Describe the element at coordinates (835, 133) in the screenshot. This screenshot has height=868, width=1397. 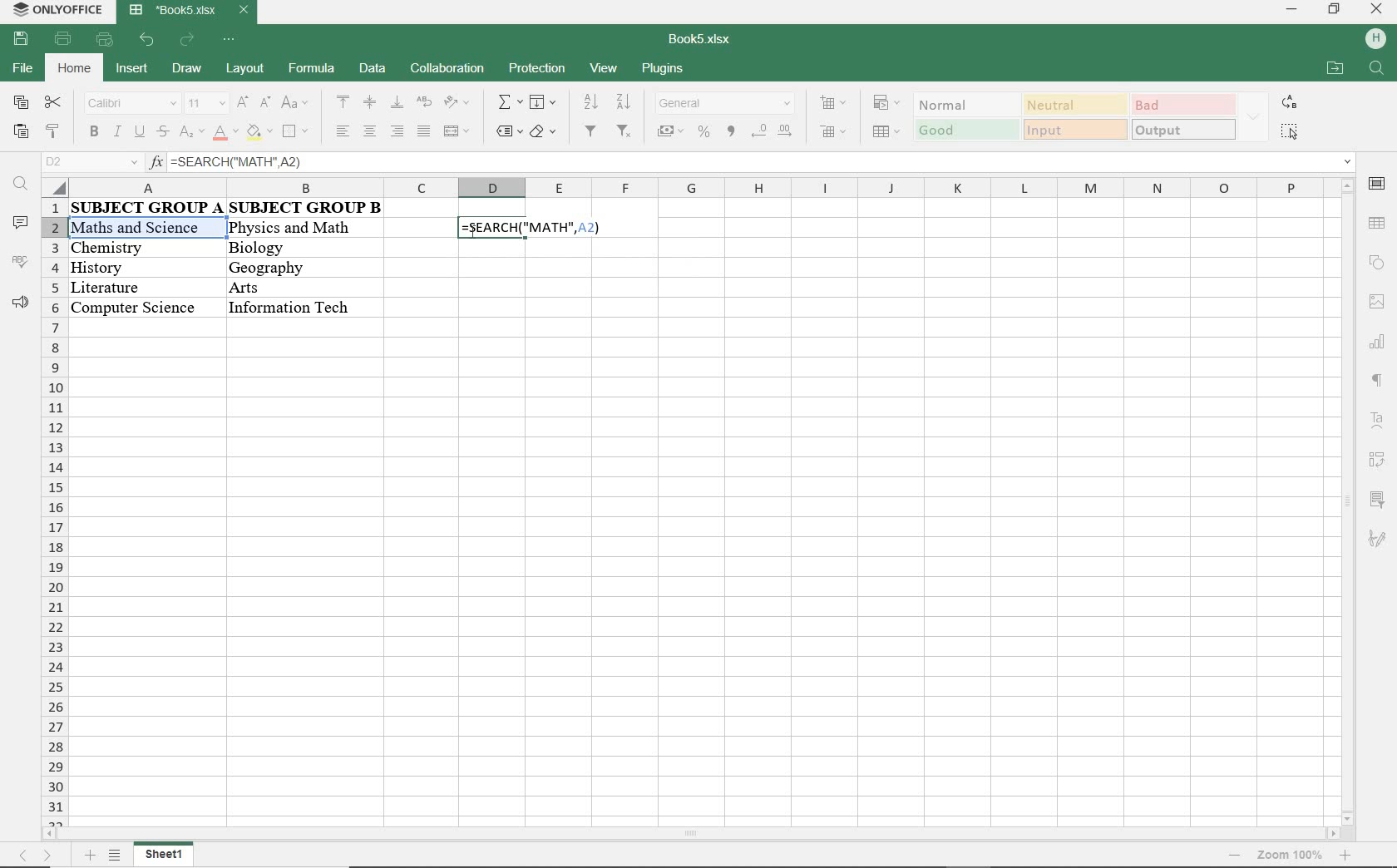
I see `delete cells` at that location.